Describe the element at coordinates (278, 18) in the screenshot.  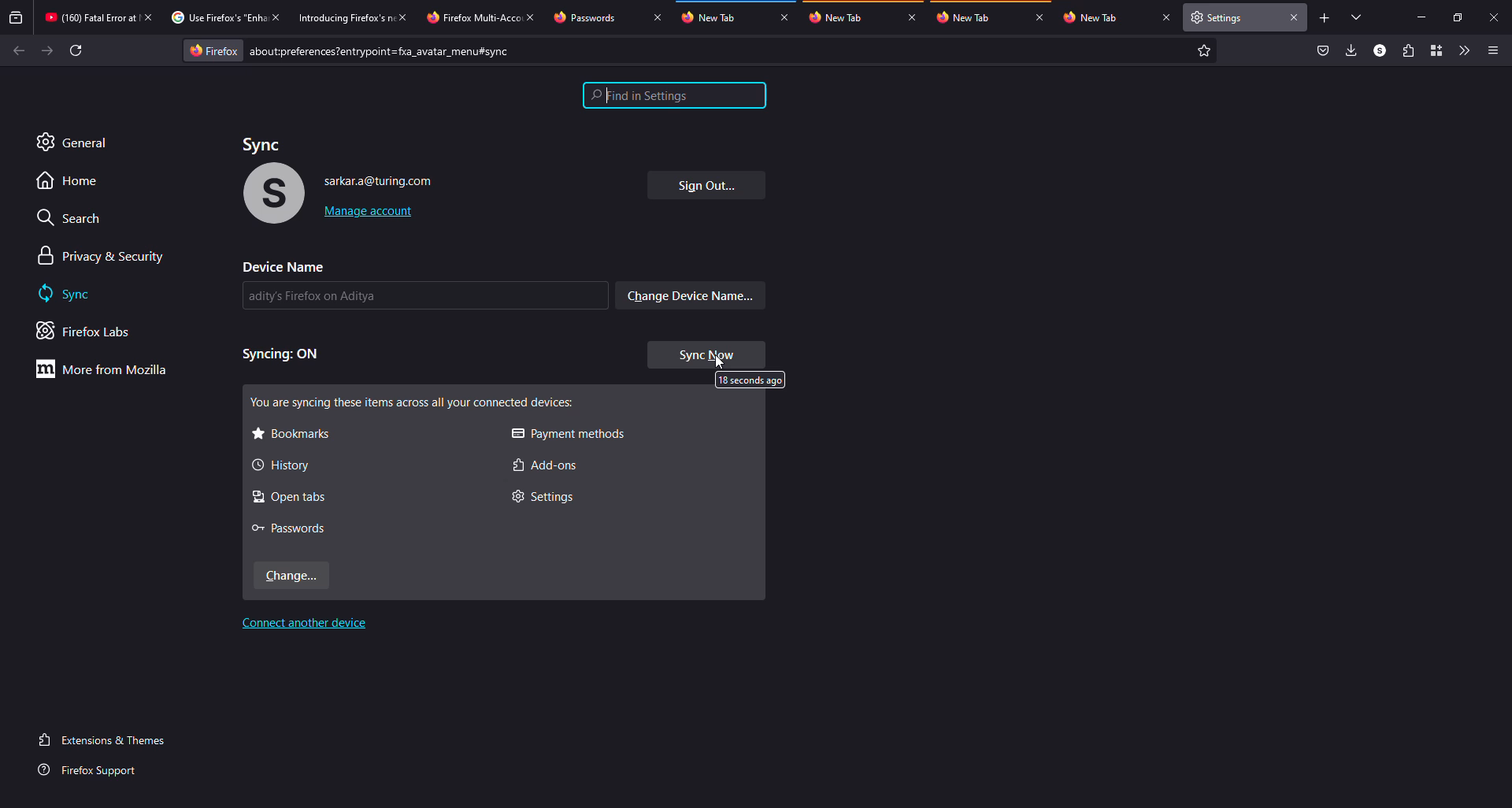
I see `close` at that location.